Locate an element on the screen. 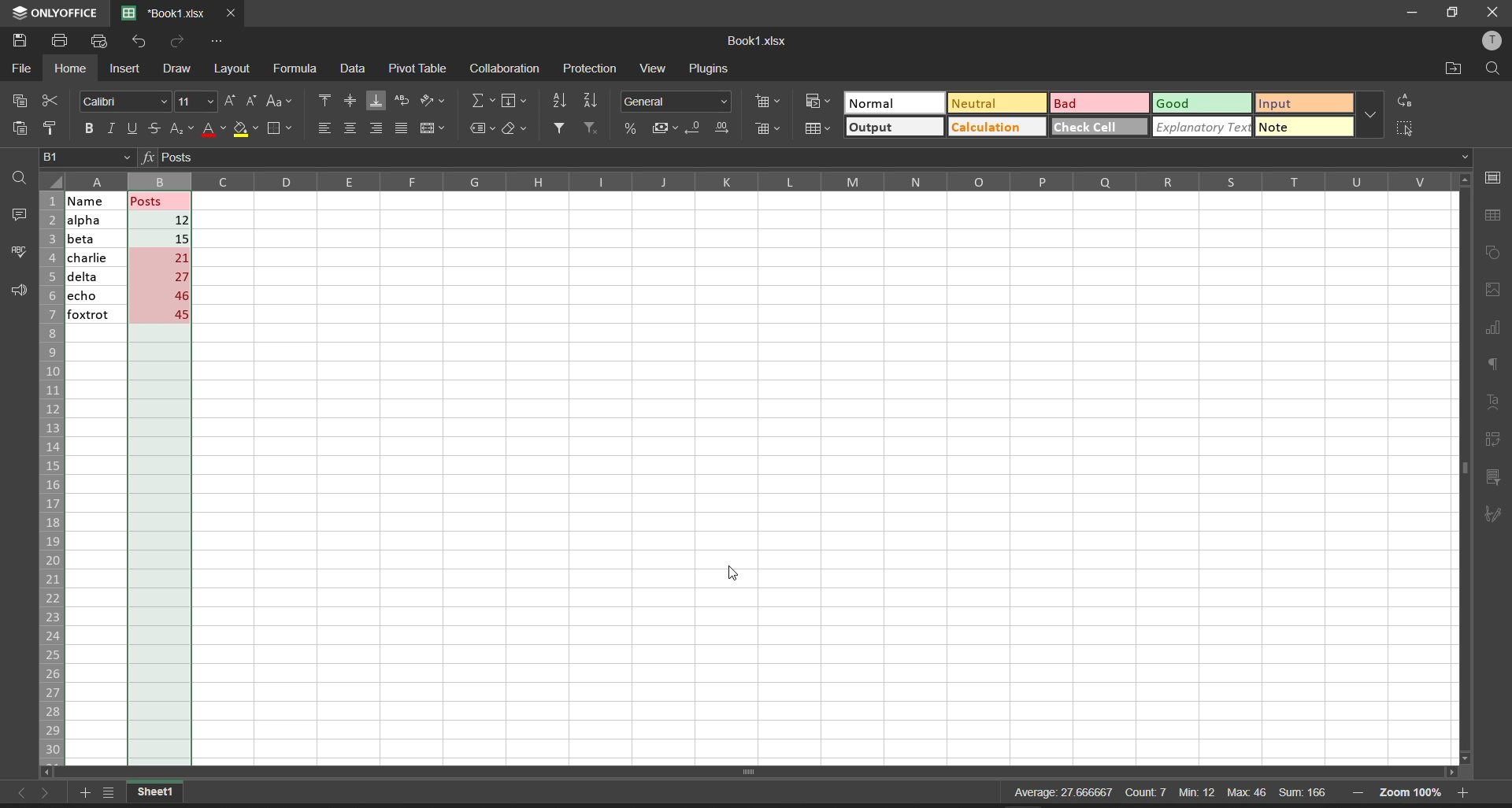 Image resolution: width=1512 pixels, height=808 pixels. name is located at coordinates (90, 259).